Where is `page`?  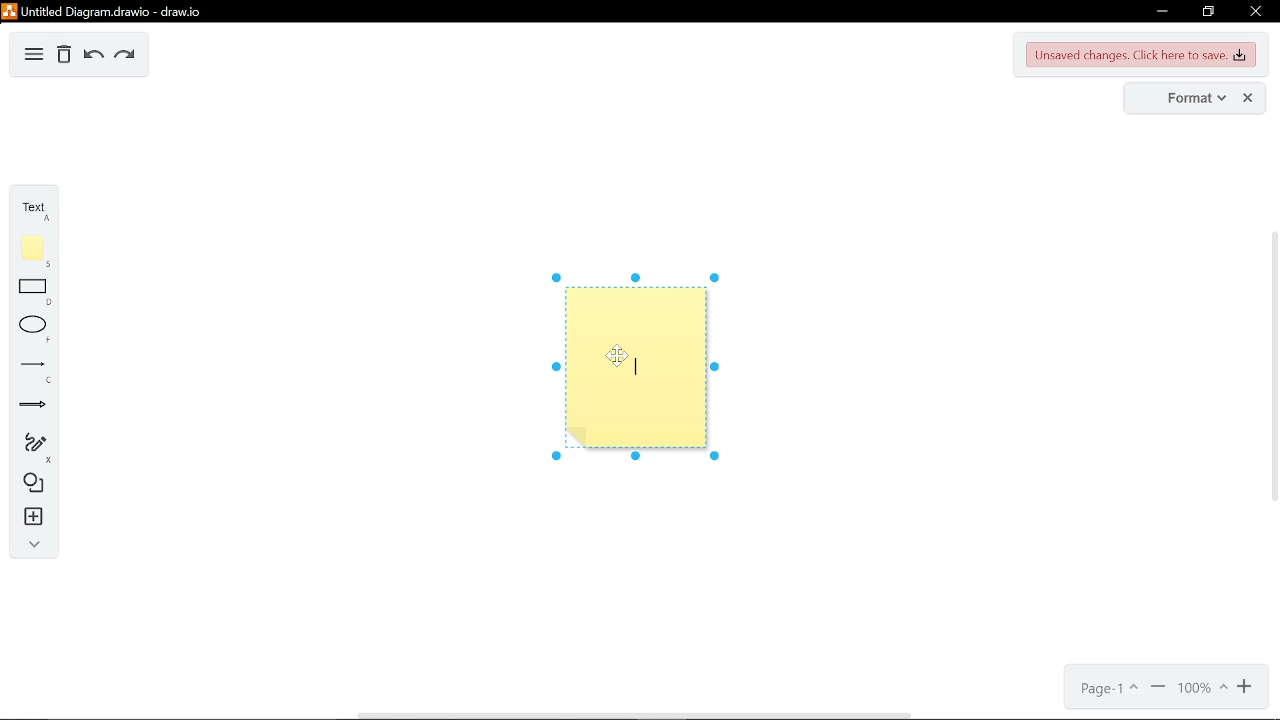 page is located at coordinates (1111, 691).